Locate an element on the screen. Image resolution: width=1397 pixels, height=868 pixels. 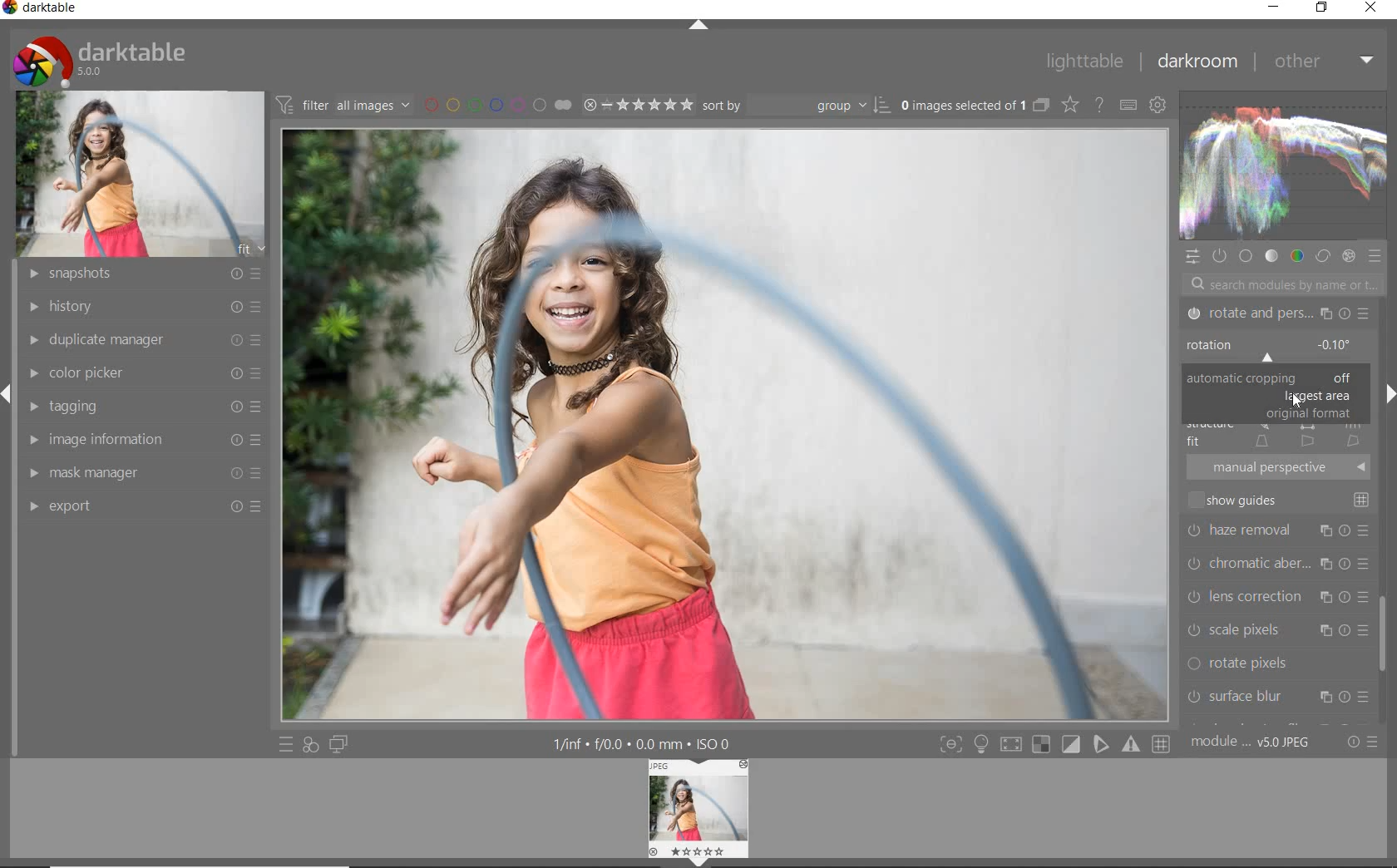
minimize is located at coordinates (1272, 7).